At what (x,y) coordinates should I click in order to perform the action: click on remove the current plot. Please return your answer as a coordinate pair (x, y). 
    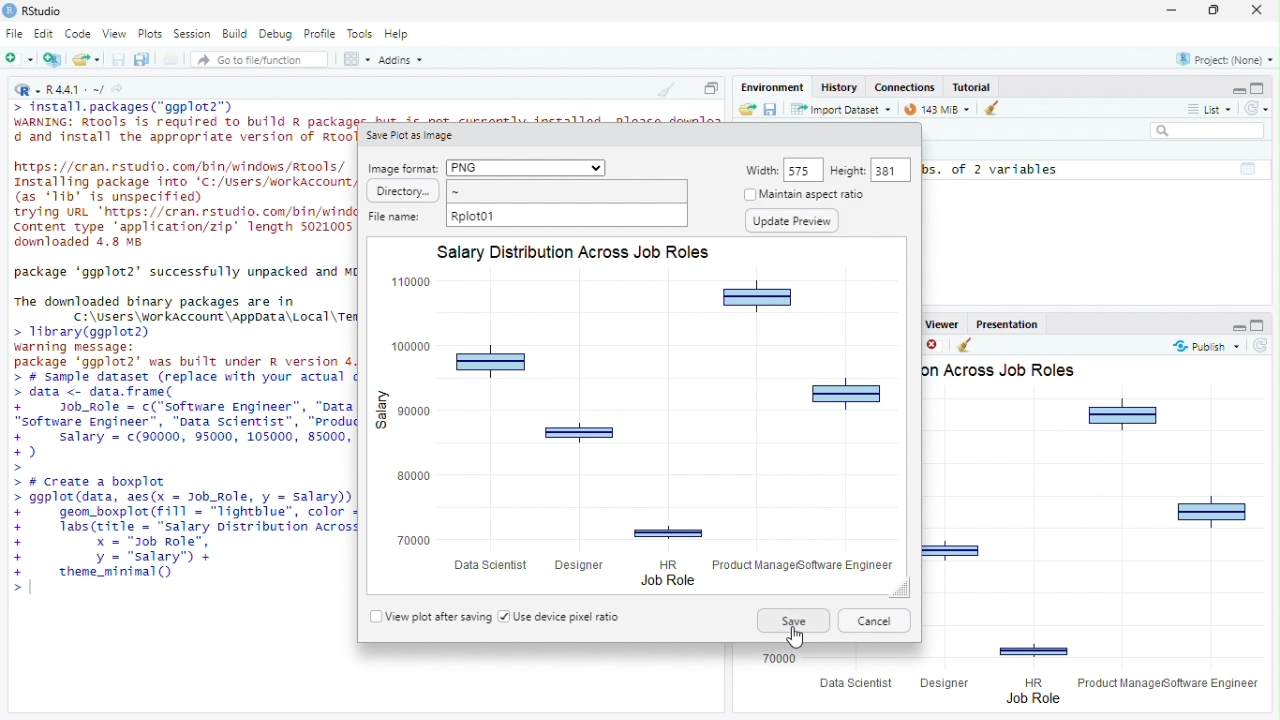
    Looking at the image, I should click on (937, 345).